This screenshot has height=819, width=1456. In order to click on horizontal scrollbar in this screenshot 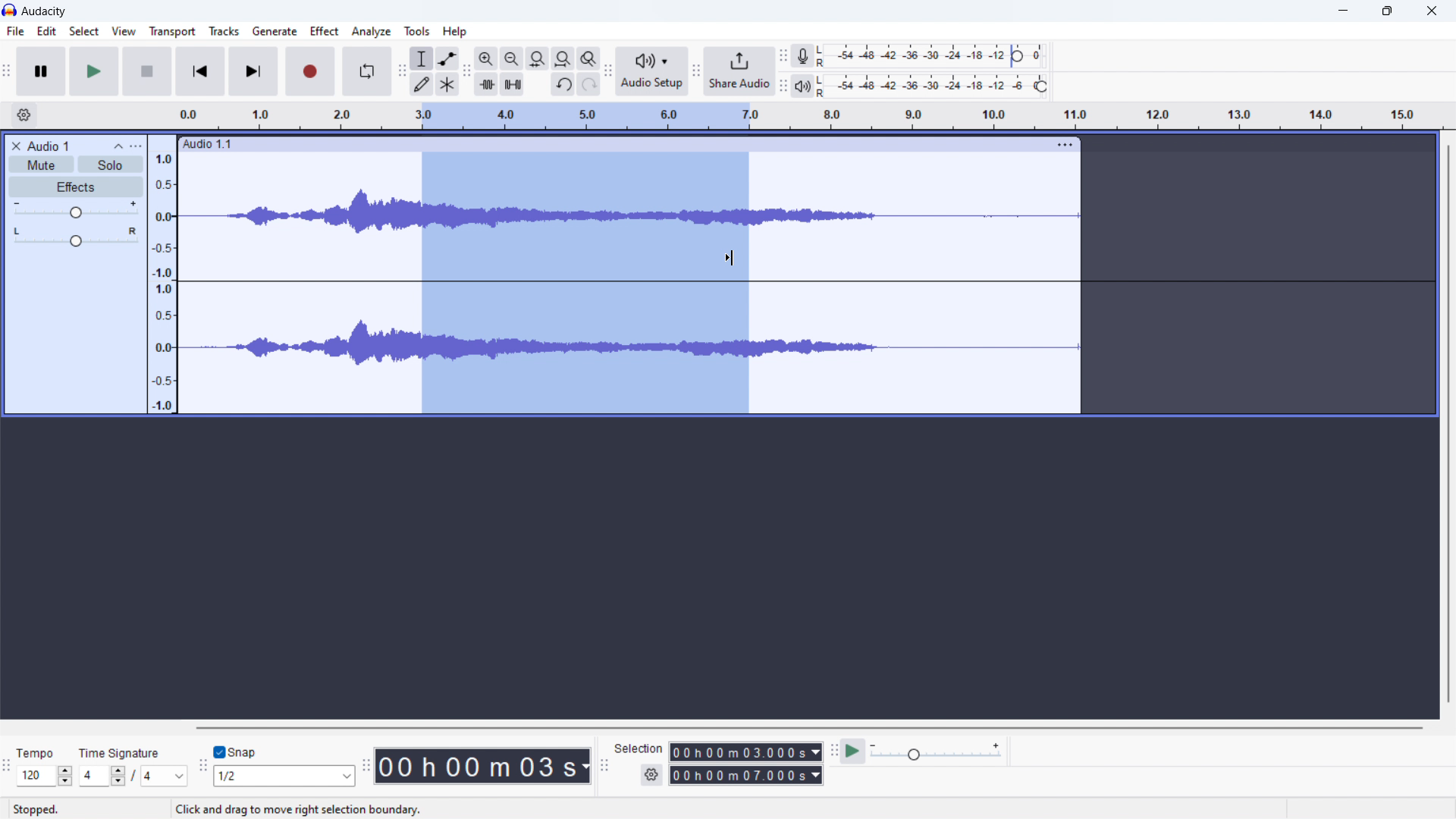, I will do `click(811, 728)`.